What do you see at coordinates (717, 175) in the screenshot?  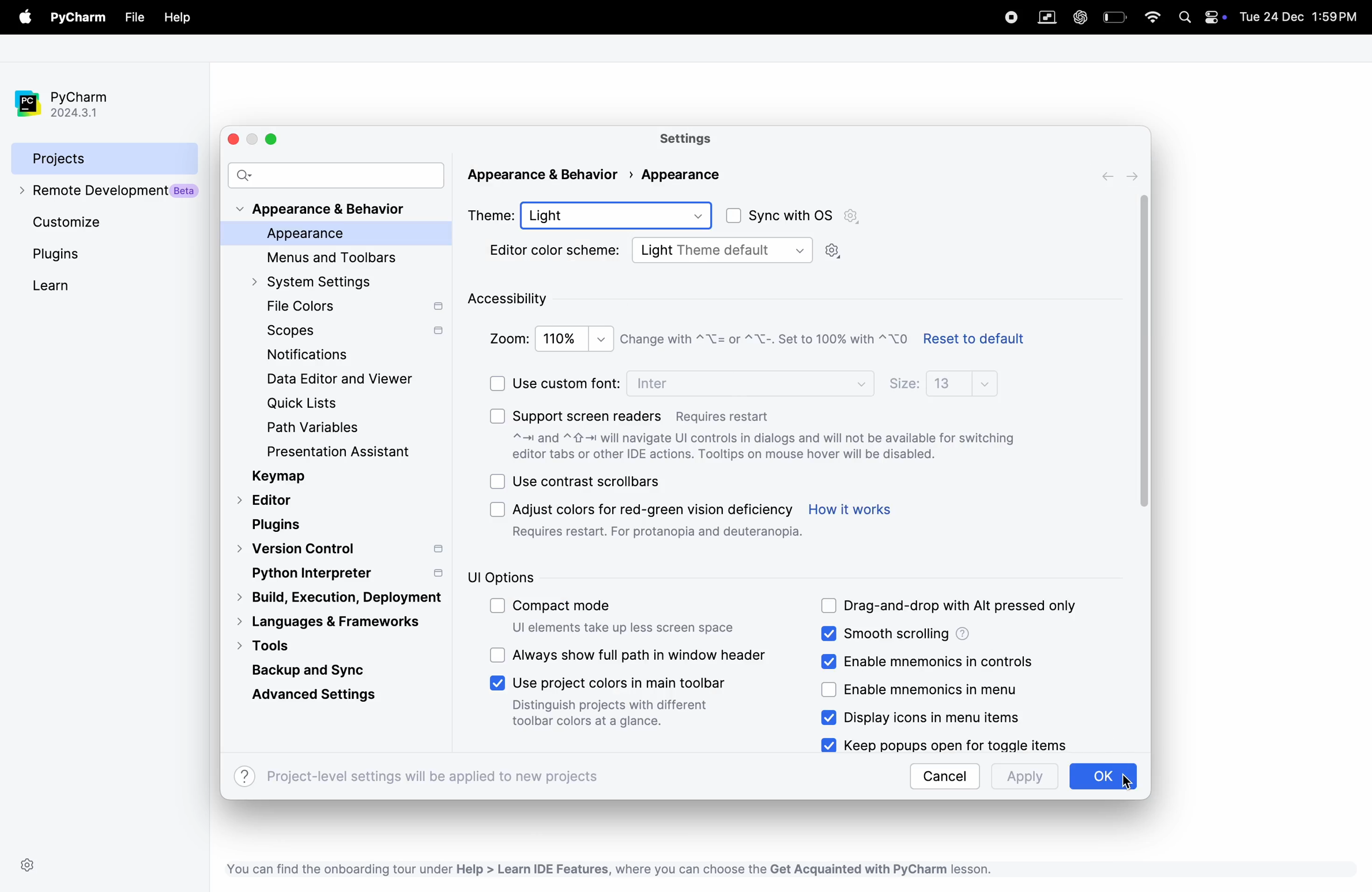 I see `appearance` at bounding box center [717, 175].